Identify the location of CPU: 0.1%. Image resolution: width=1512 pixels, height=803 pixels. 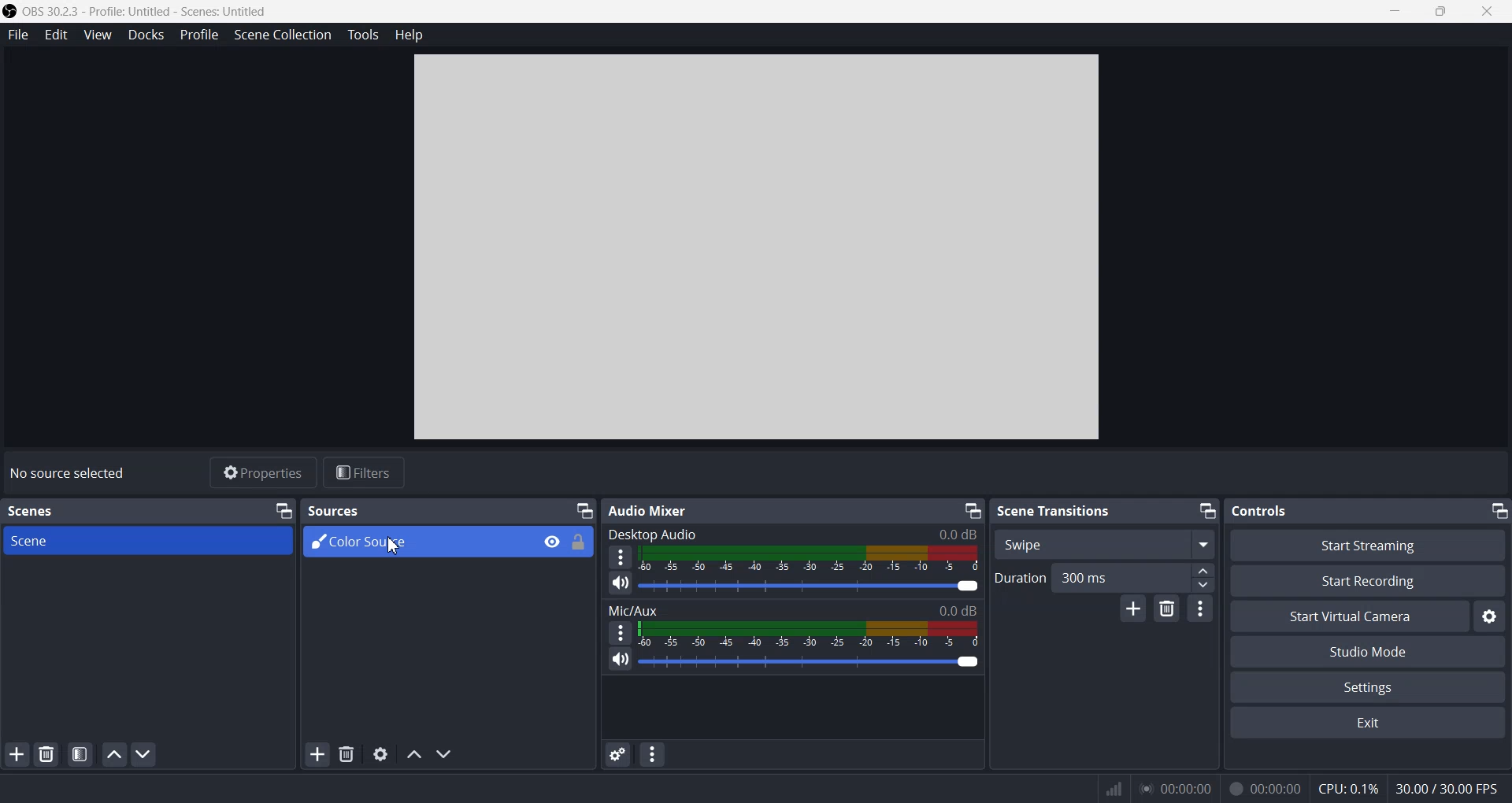
(1343, 786).